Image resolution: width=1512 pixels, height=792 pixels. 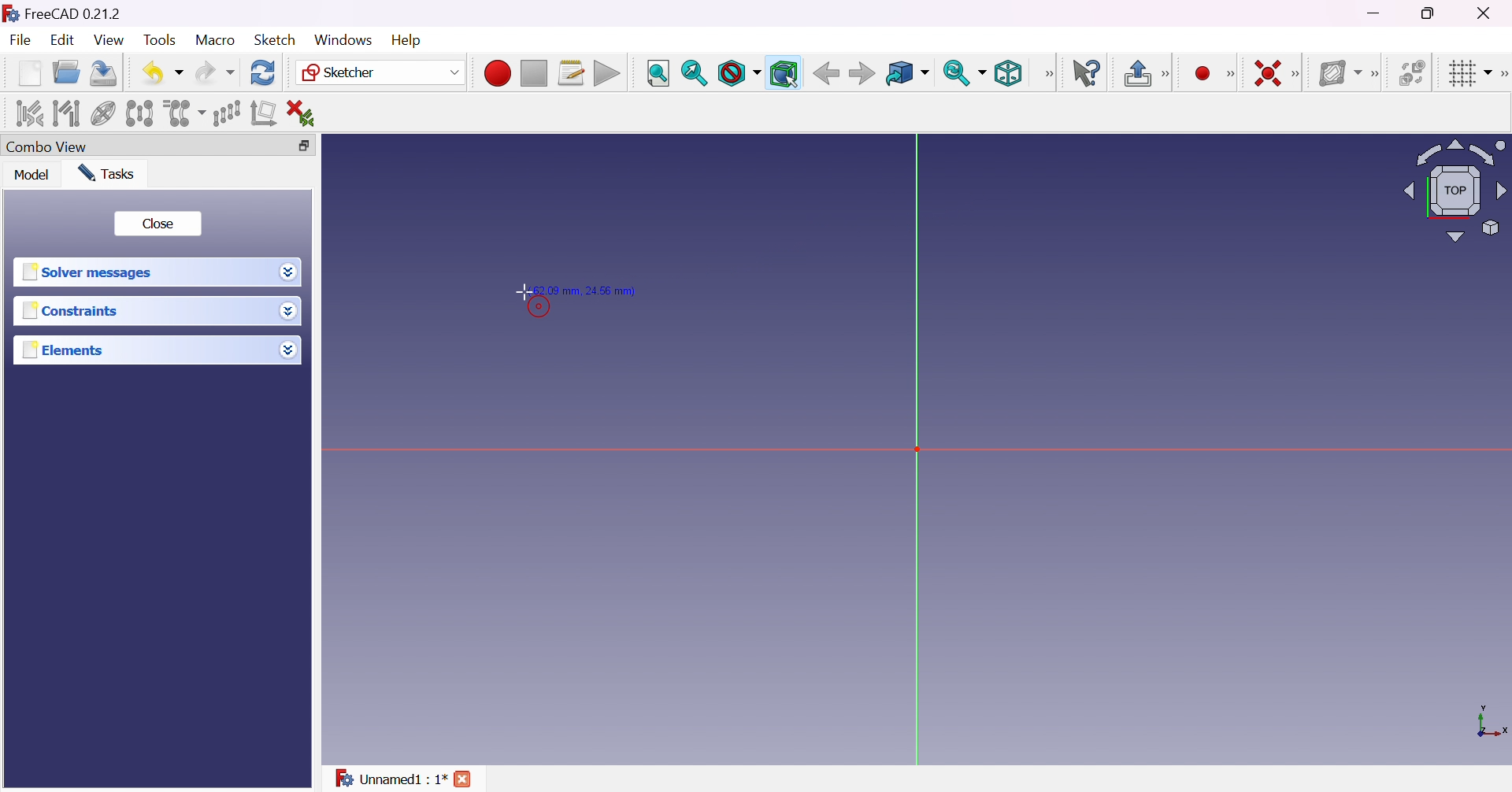 I want to click on close, so click(x=465, y=779).